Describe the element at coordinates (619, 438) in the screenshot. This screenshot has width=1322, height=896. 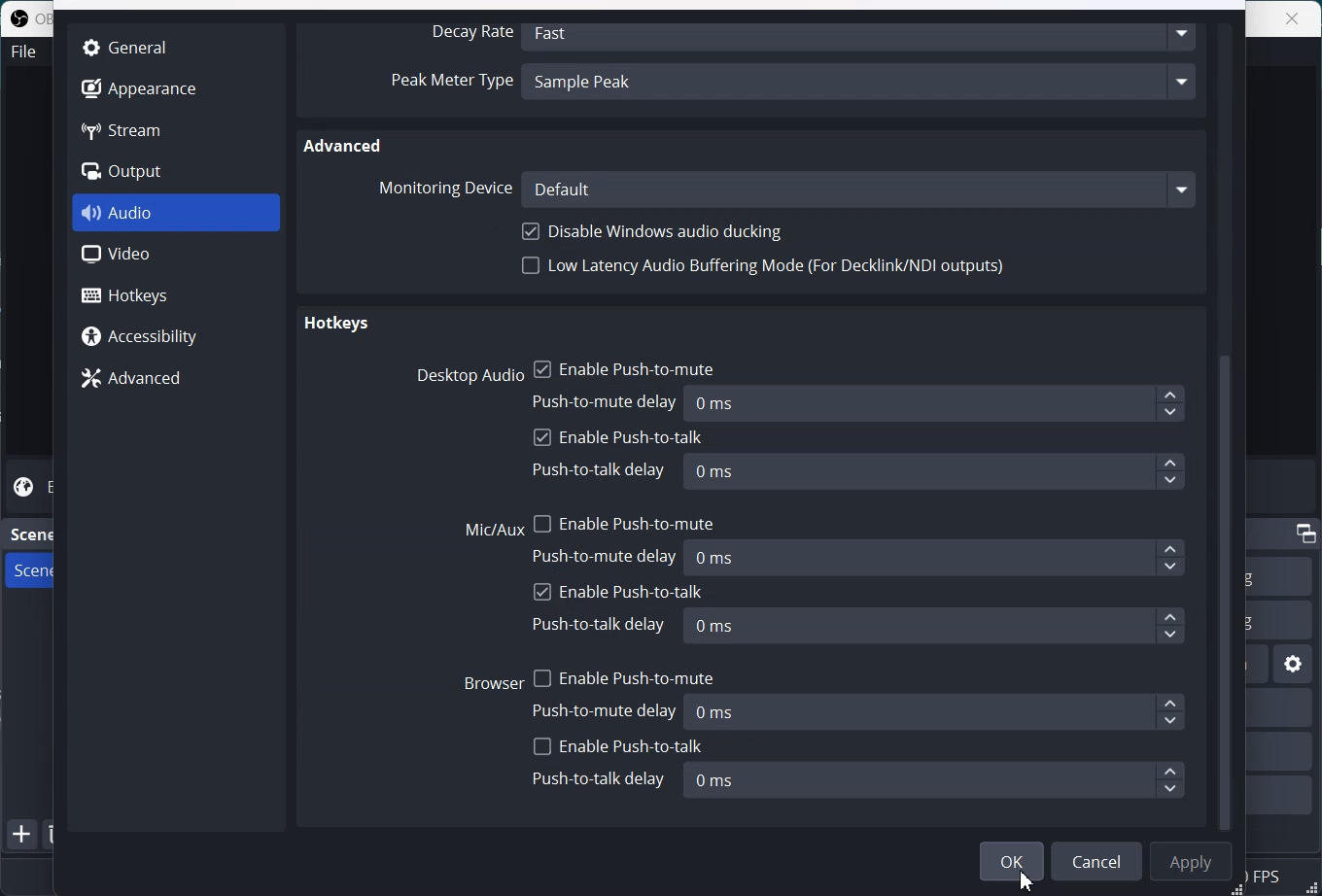
I see `Enable Push to talk` at that location.